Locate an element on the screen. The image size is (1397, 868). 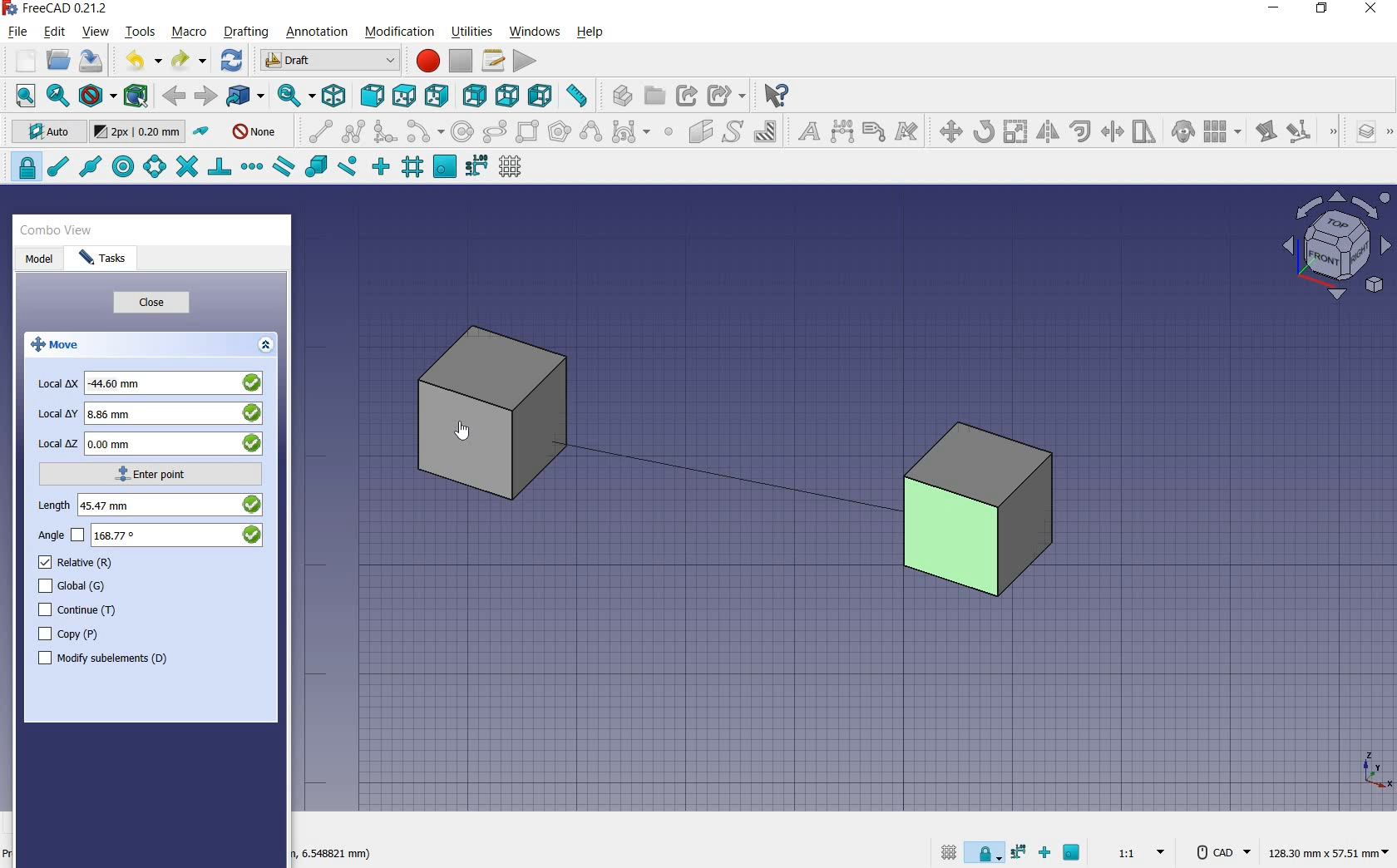
dimension is located at coordinates (333, 854).